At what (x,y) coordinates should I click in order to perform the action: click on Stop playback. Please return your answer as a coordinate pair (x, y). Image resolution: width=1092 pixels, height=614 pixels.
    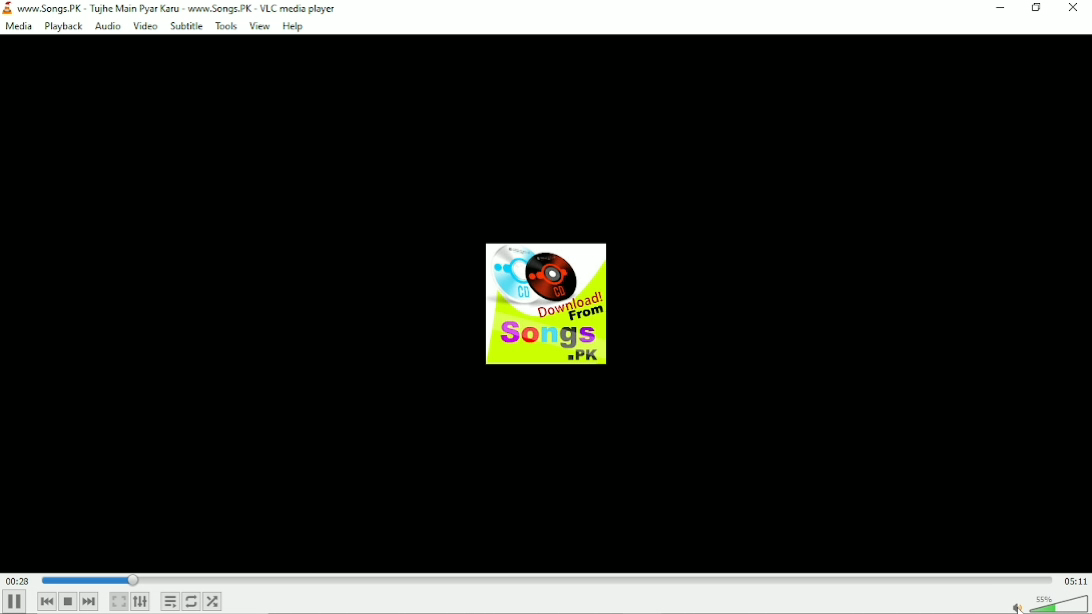
    Looking at the image, I should click on (67, 602).